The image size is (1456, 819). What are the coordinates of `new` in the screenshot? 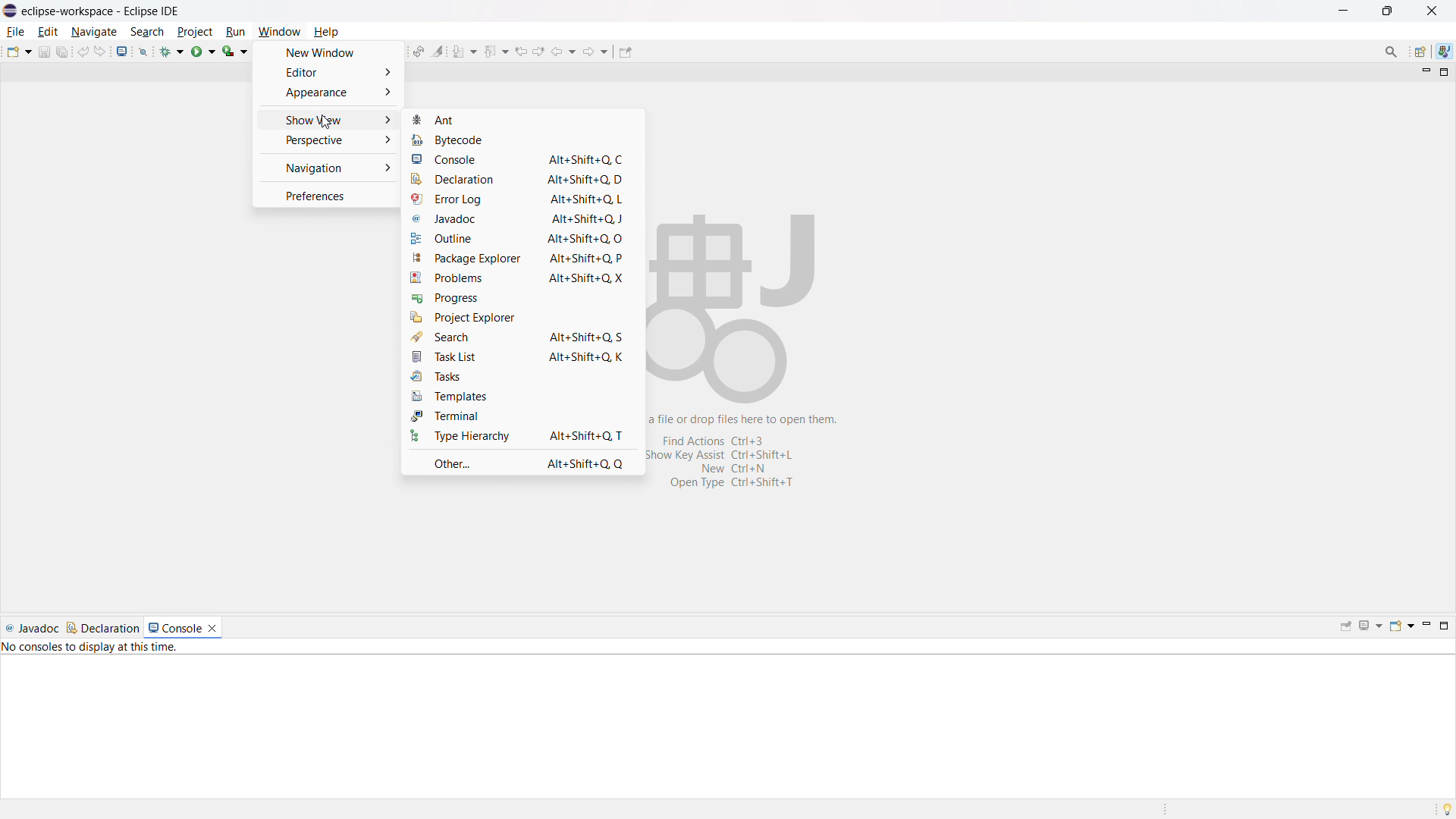 It's located at (17, 52).